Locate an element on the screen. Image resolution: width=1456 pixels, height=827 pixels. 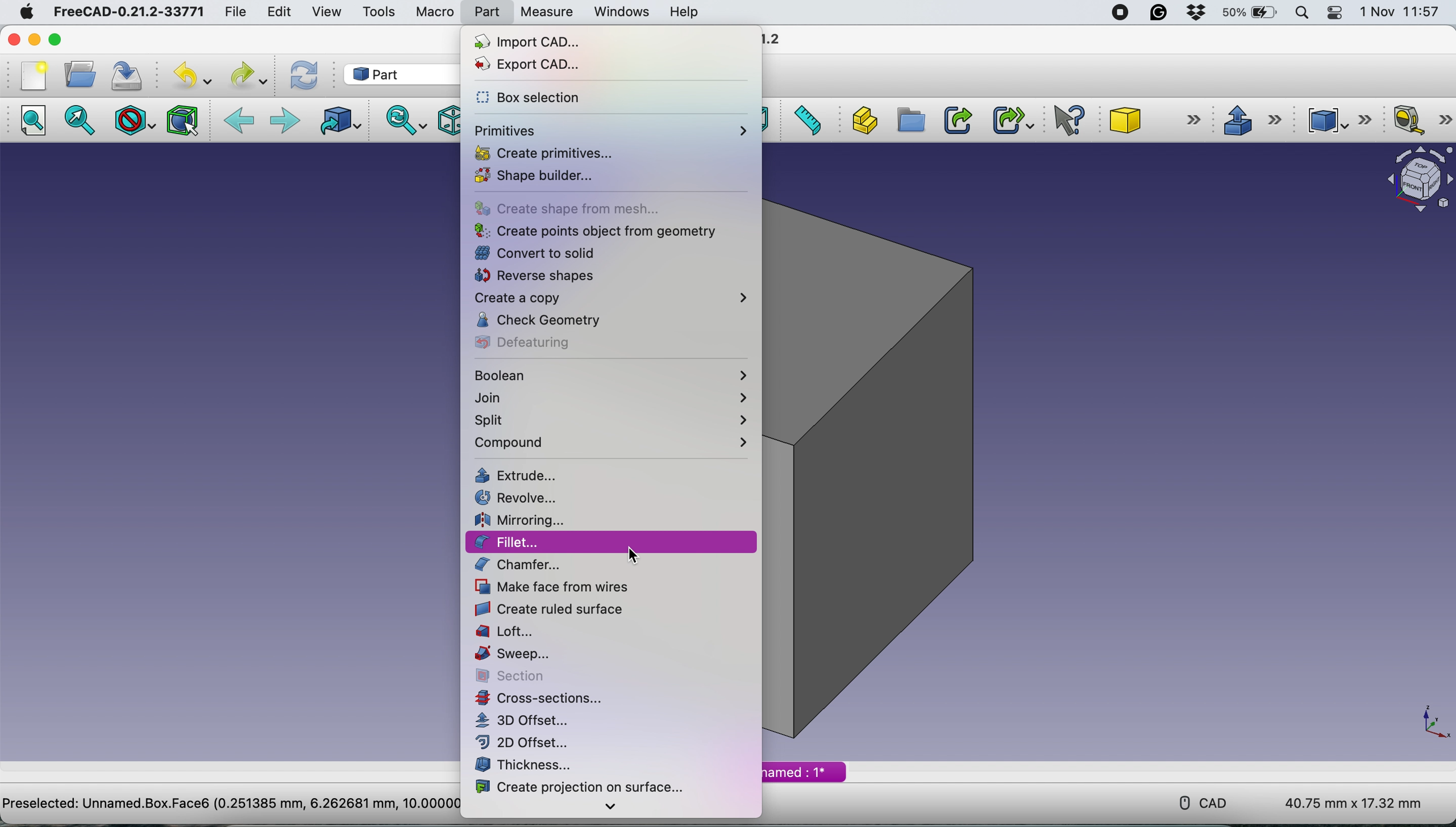
redo is located at coordinates (249, 75).